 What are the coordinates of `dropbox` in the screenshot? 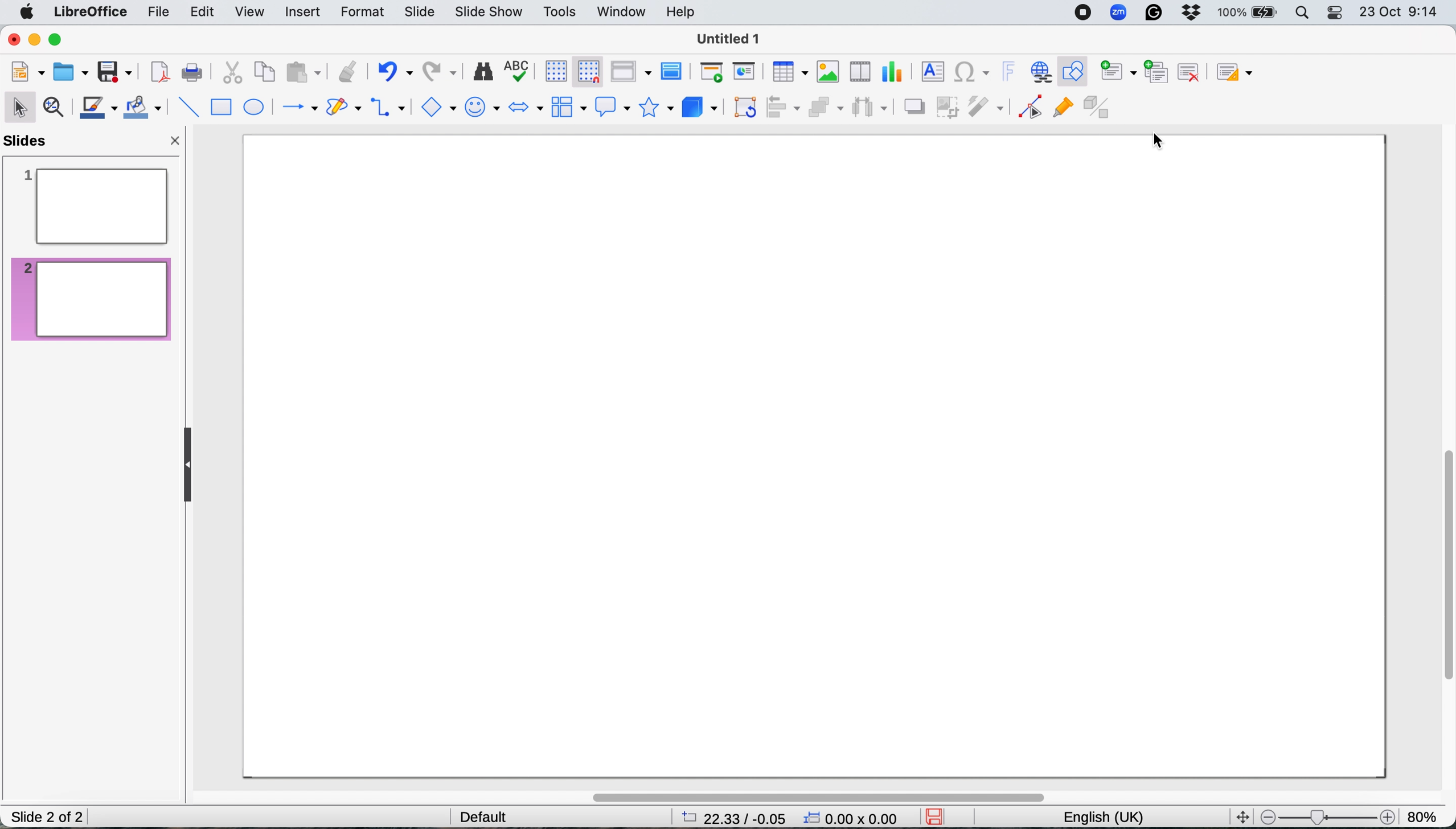 It's located at (1196, 13).